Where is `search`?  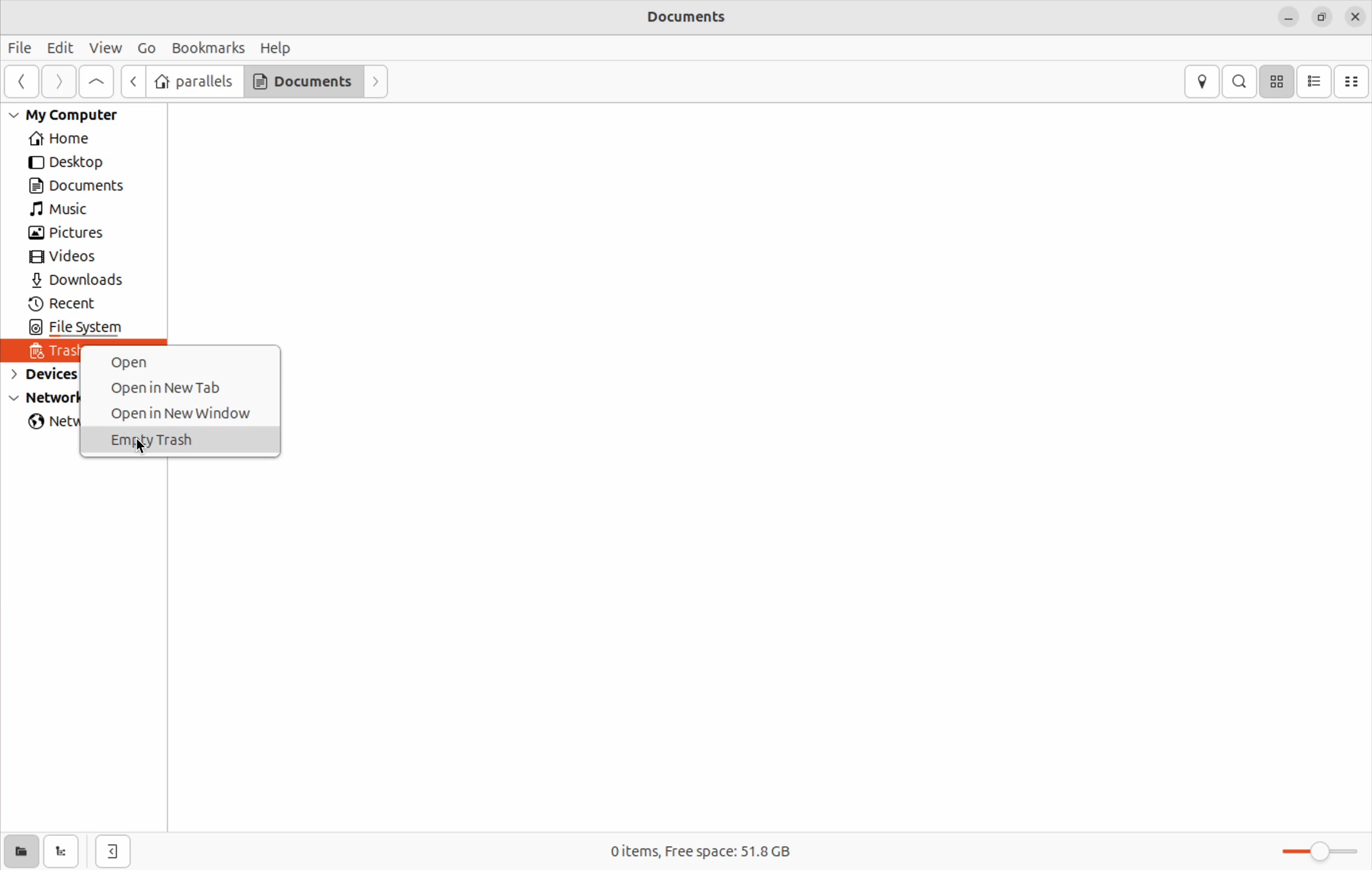 search is located at coordinates (1239, 80).